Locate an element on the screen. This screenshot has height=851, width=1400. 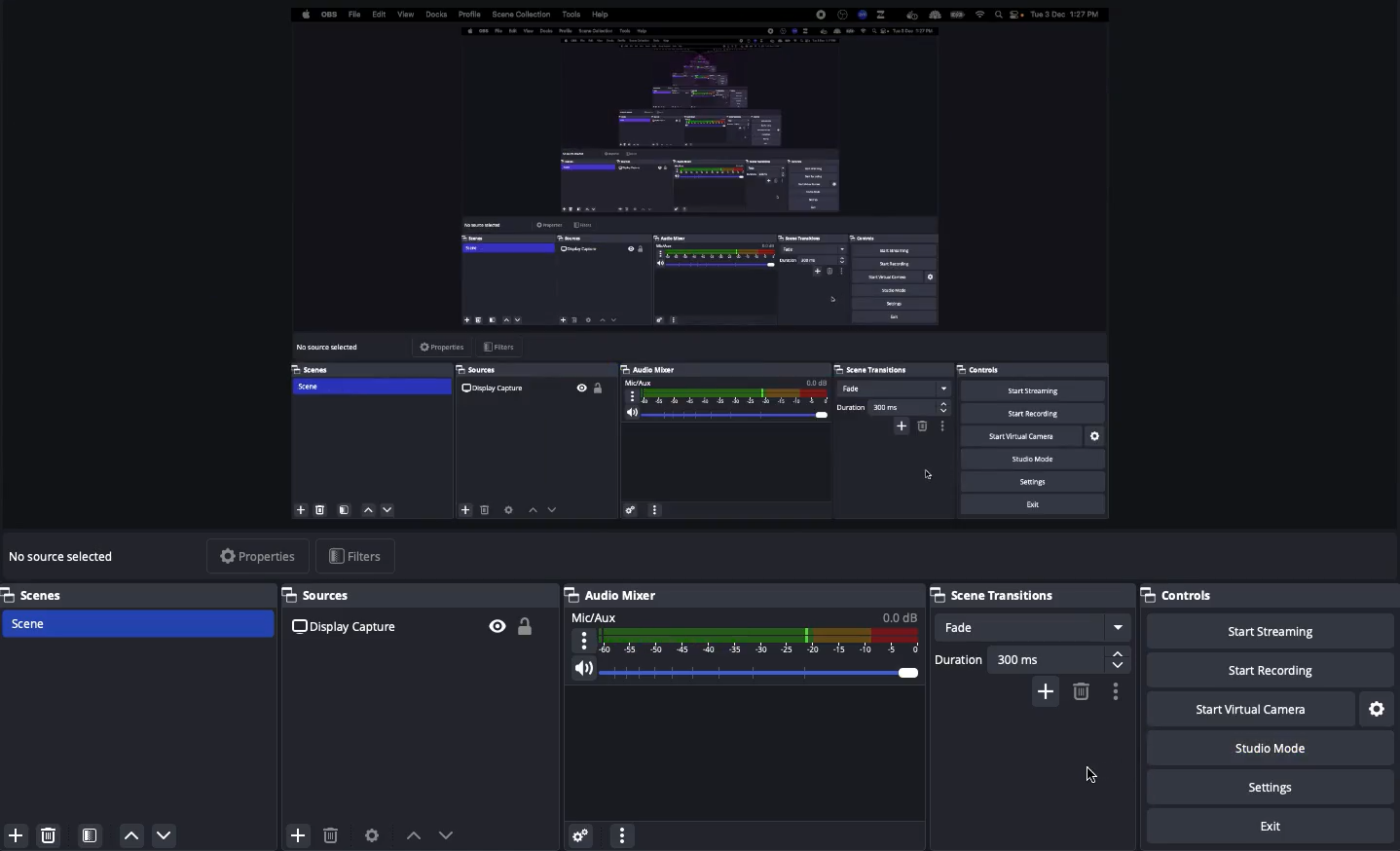
Source preferences is located at coordinates (370, 835).